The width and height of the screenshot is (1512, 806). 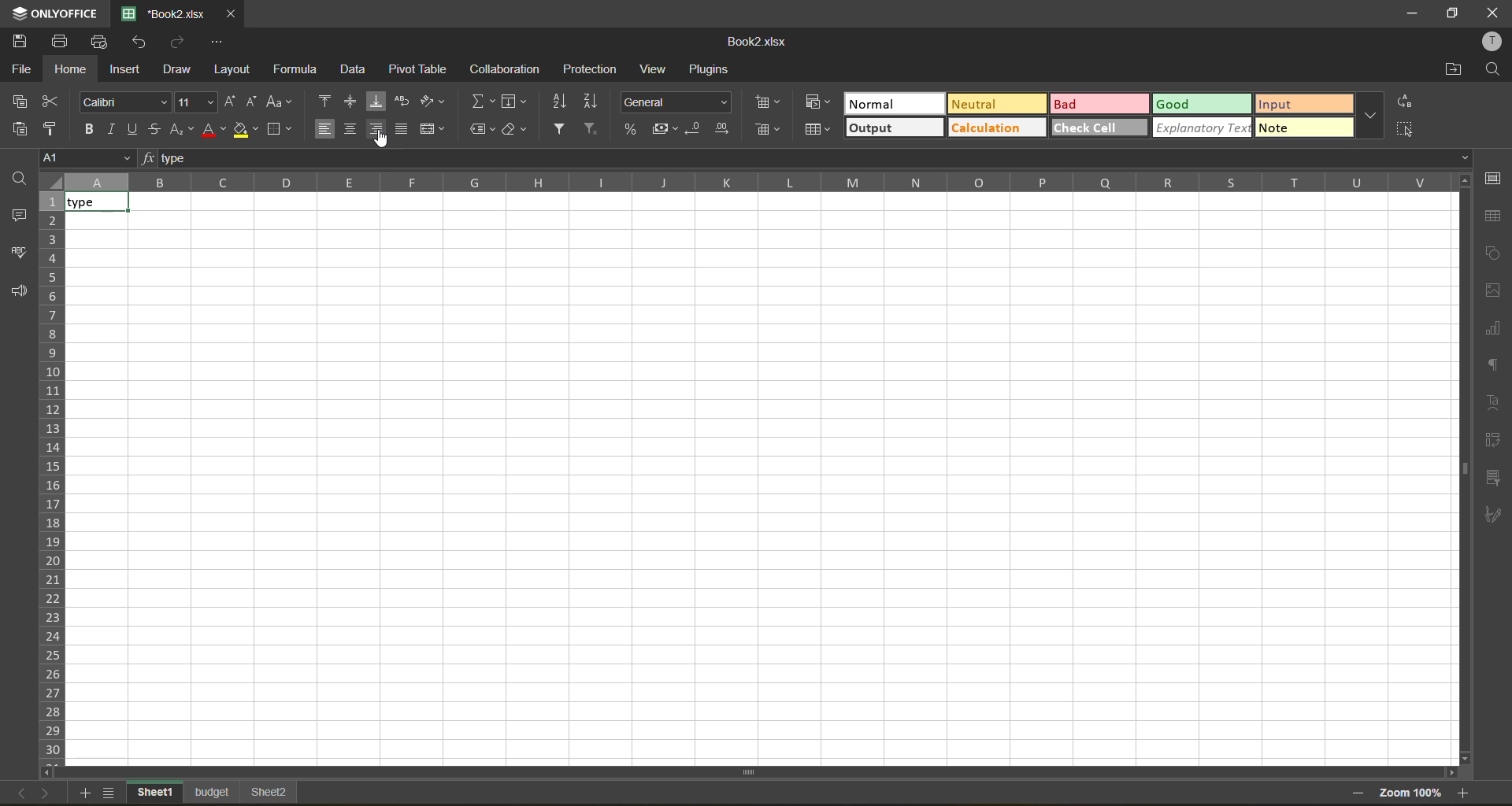 What do you see at coordinates (1464, 757) in the screenshot?
I see `move down` at bounding box center [1464, 757].